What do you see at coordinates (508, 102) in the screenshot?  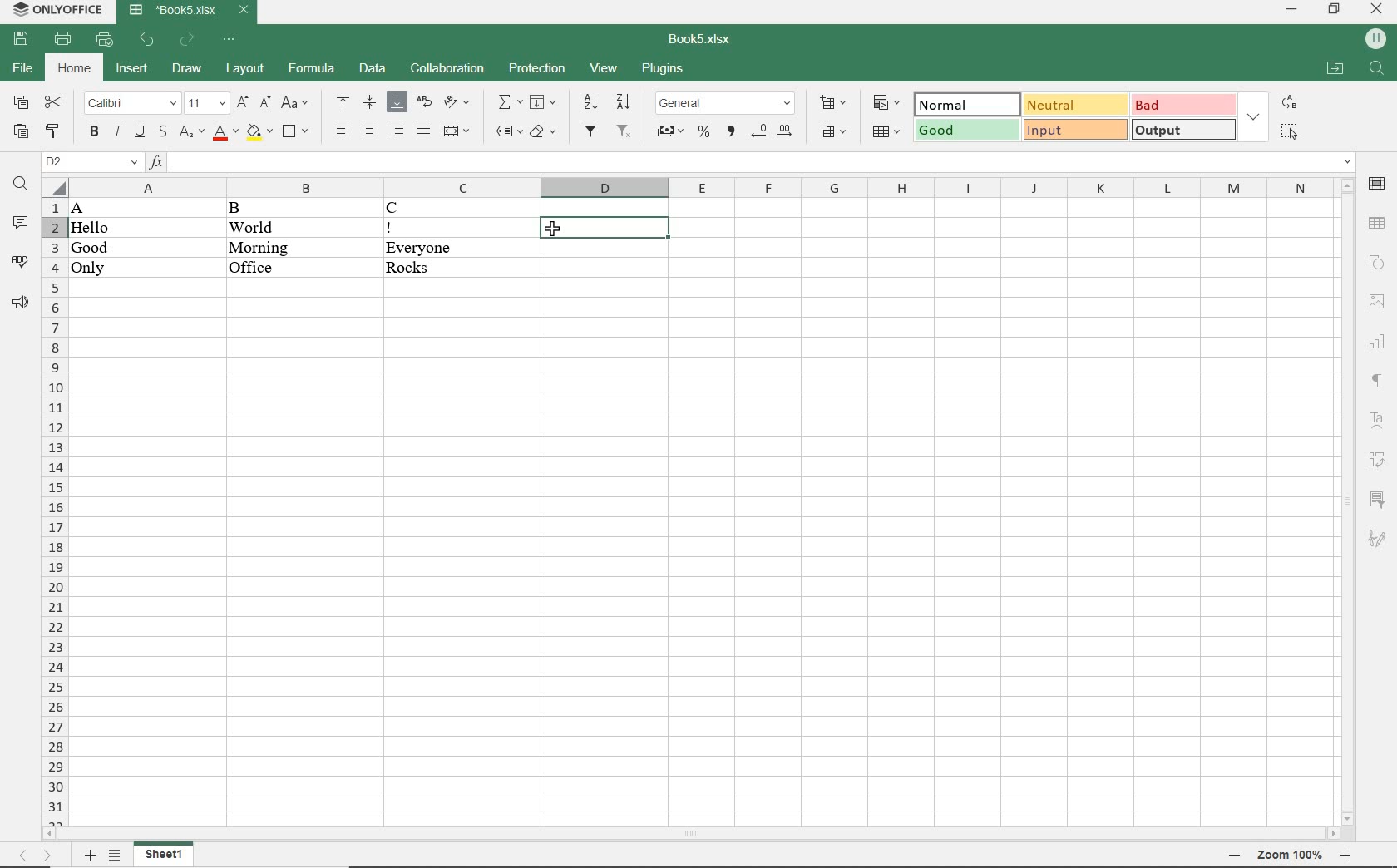 I see `summation` at bounding box center [508, 102].